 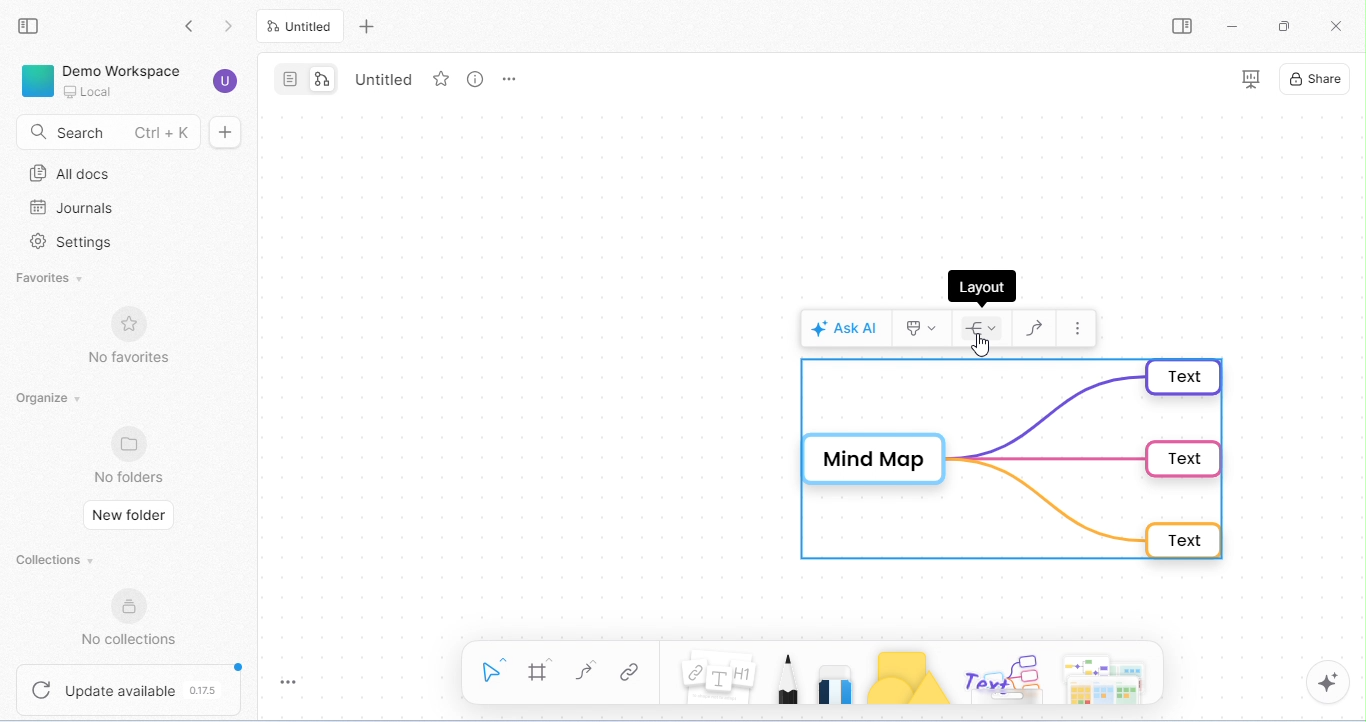 I want to click on close, so click(x=1339, y=28).